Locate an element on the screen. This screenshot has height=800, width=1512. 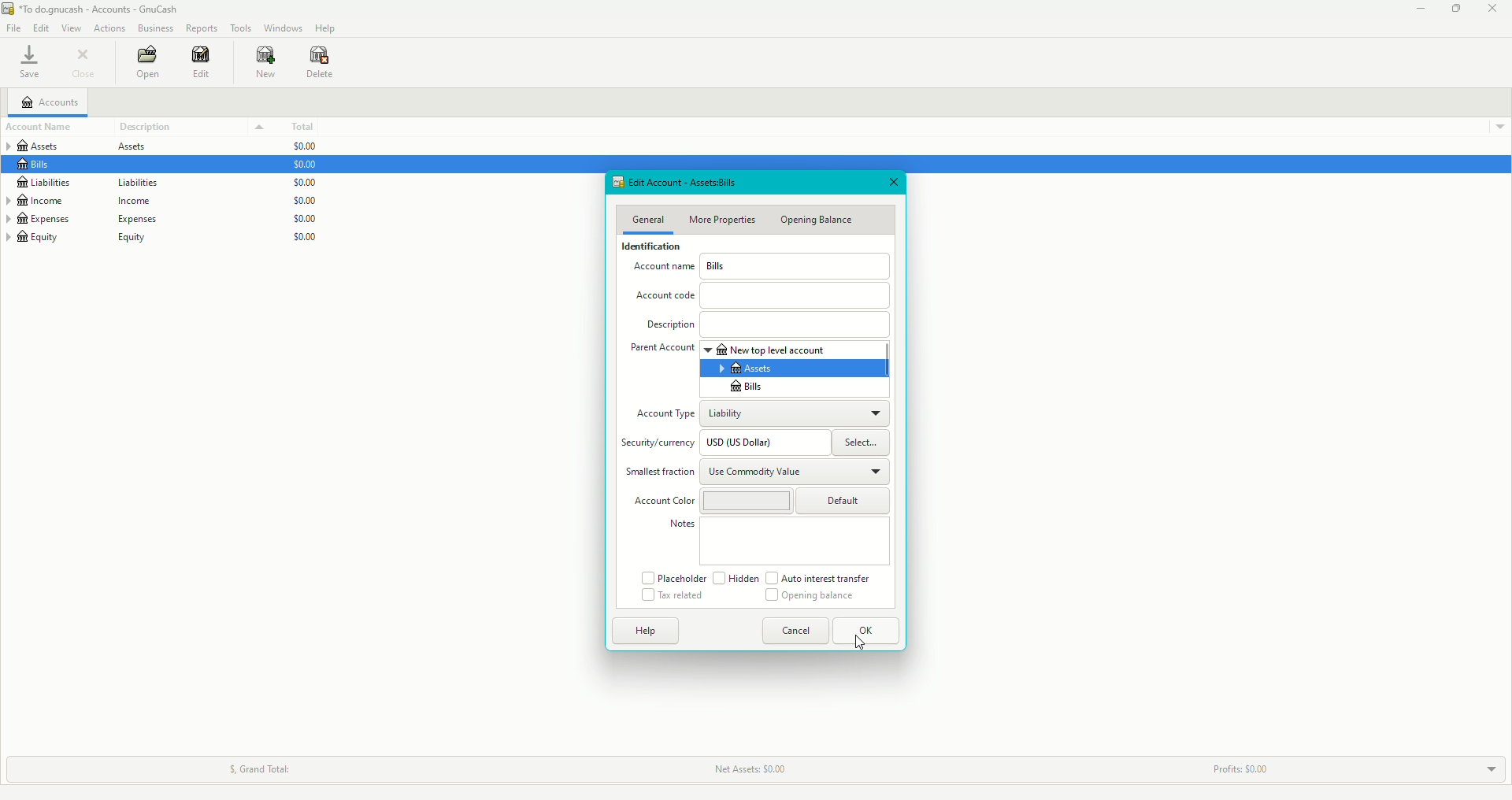
Parent Account is located at coordinates (661, 350).